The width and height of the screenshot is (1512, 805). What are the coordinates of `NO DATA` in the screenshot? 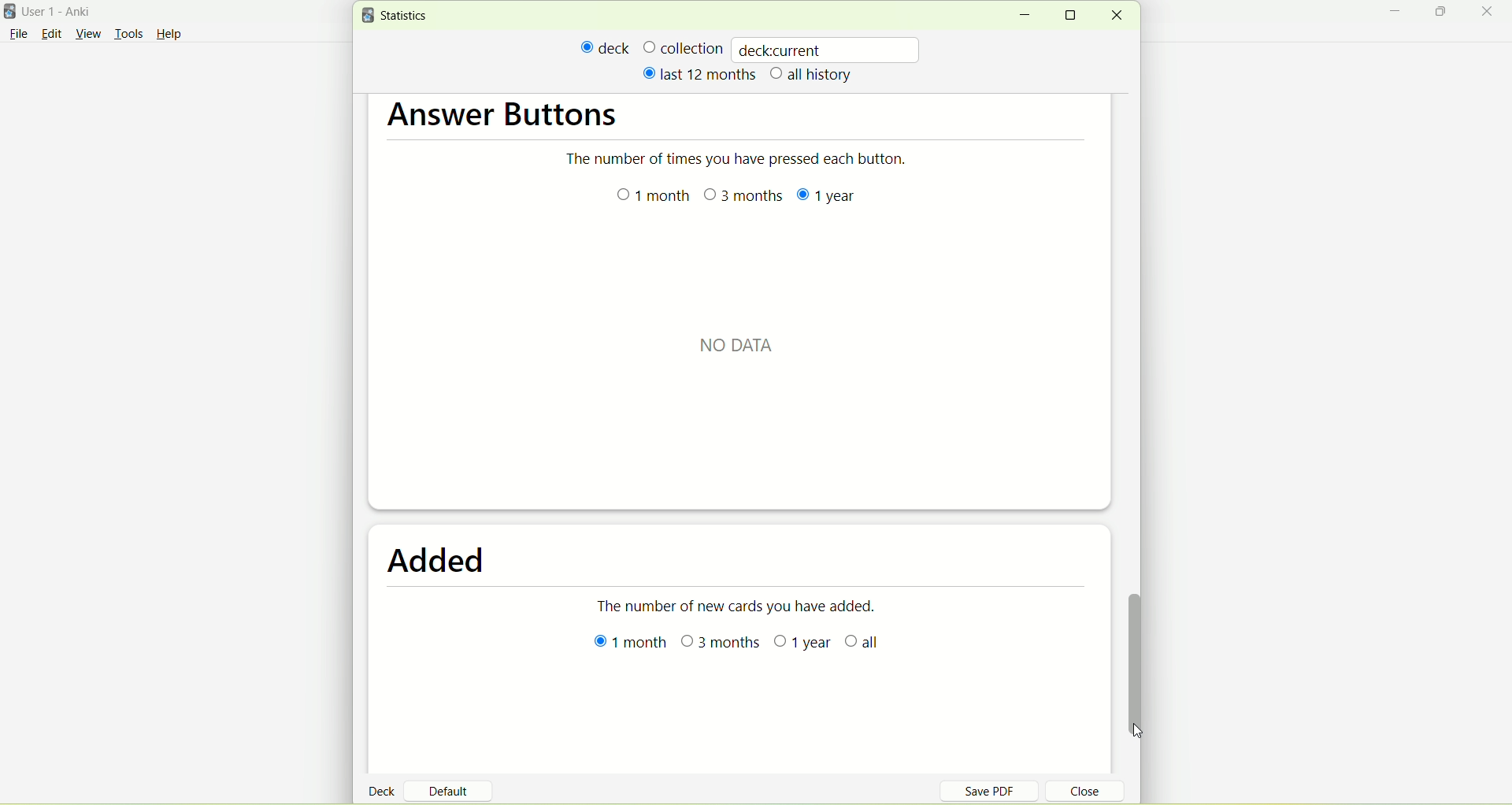 It's located at (739, 343).